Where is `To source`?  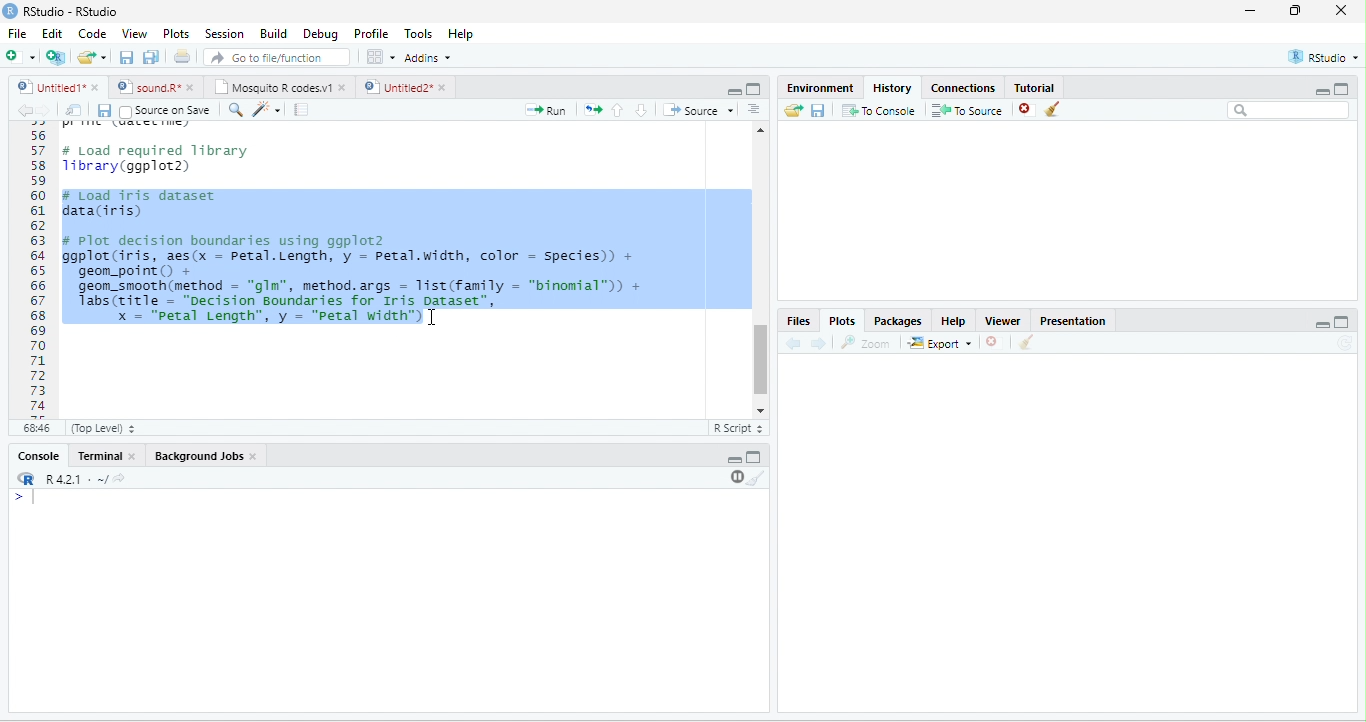
To source is located at coordinates (965, 111).